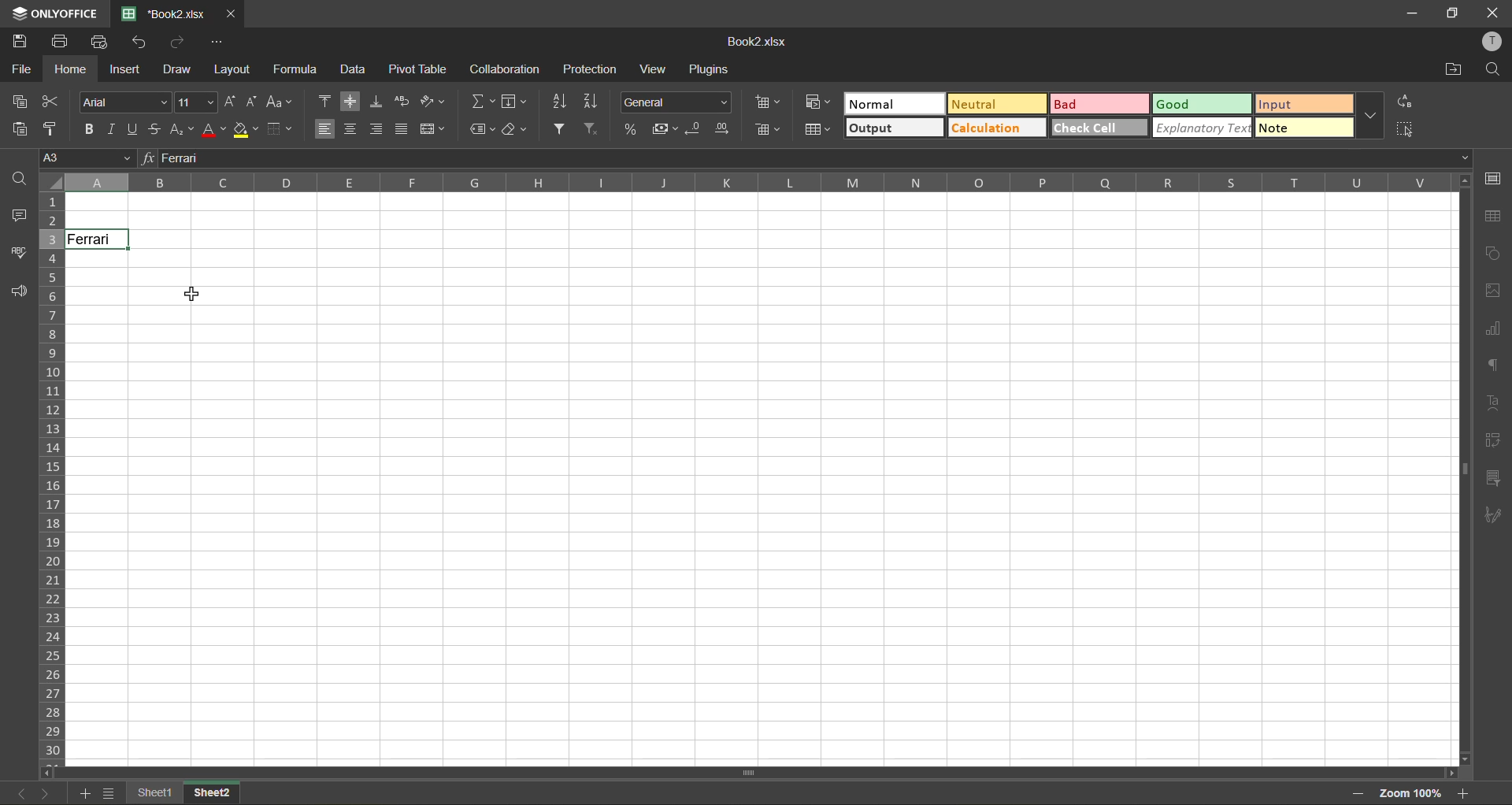  Describe the element at coordinates (101, 42) in the screenshot. I see `quick print` at that location.